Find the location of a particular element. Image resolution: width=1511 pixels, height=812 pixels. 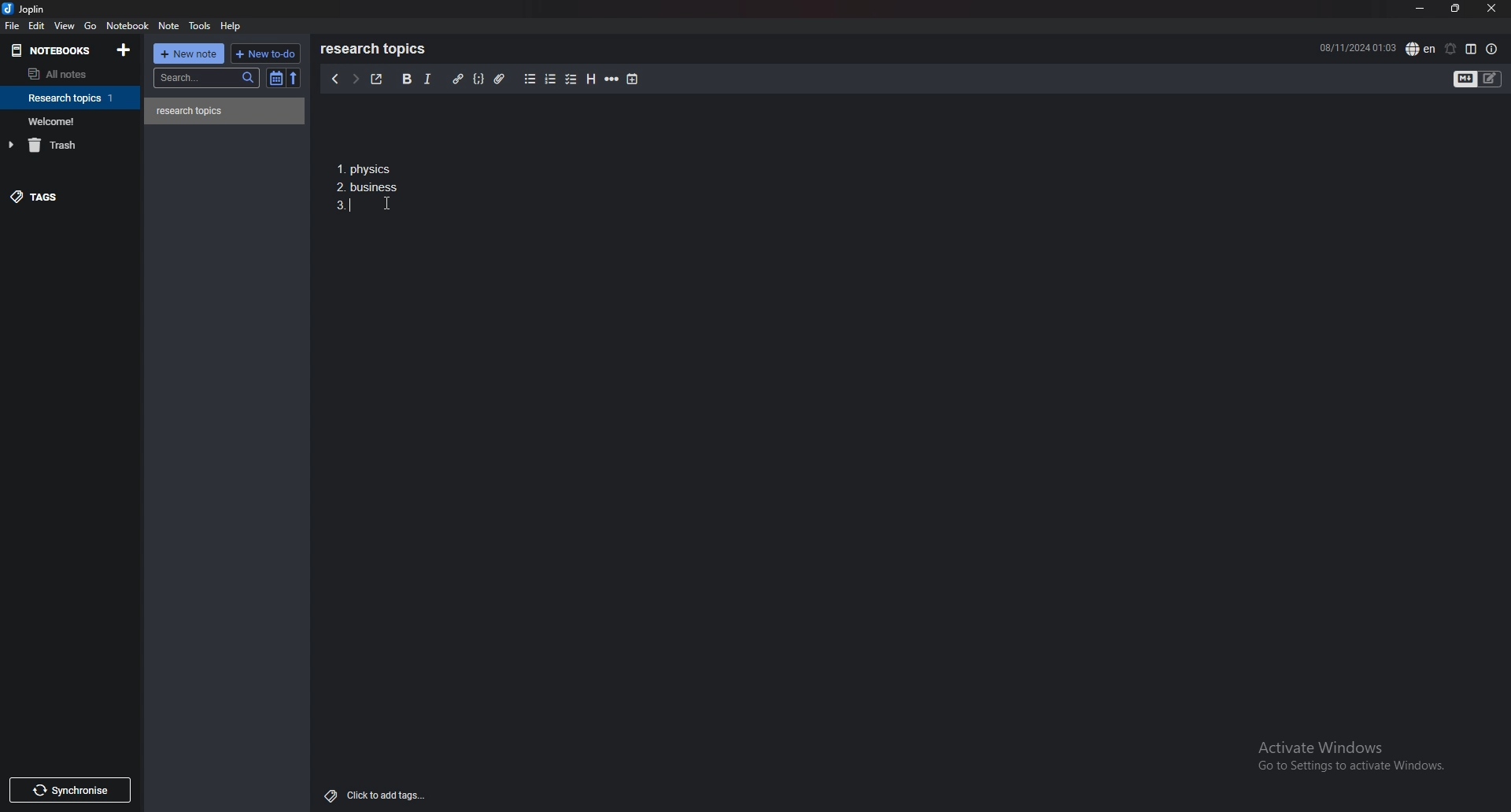

Synchronise is located at coordinates (73, 789).